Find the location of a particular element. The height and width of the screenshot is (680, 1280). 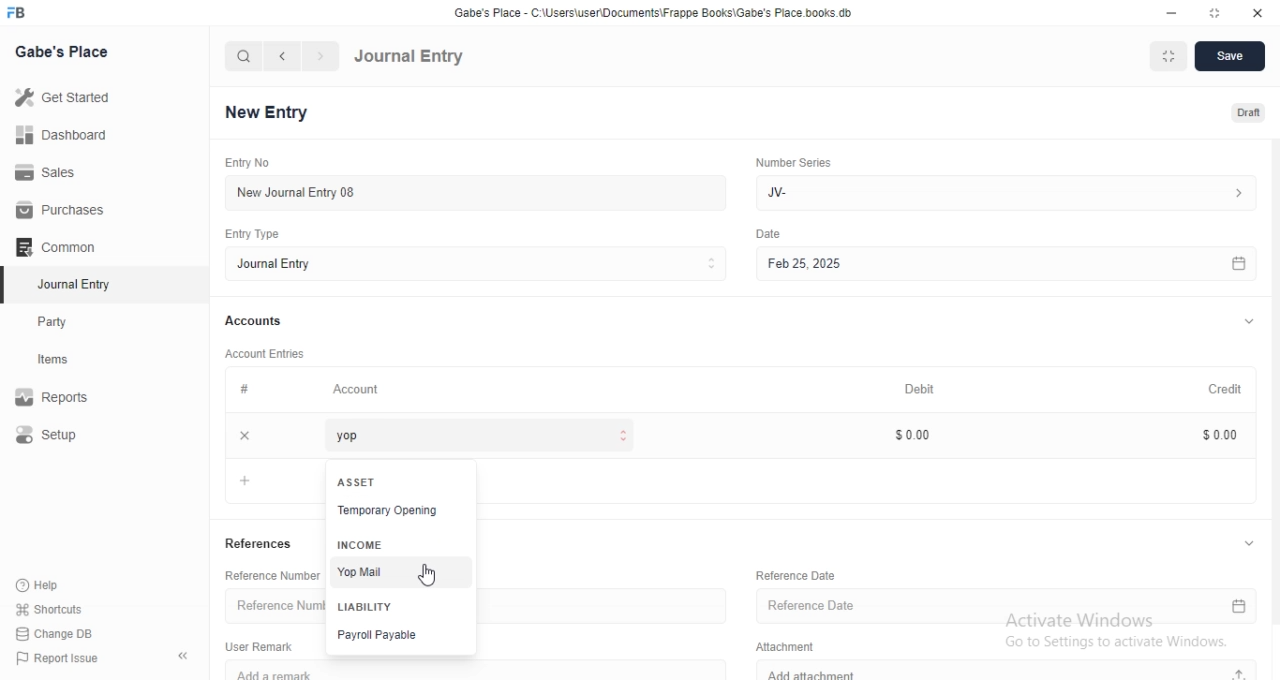

Reference Date is located at coordinates (1007, 608).